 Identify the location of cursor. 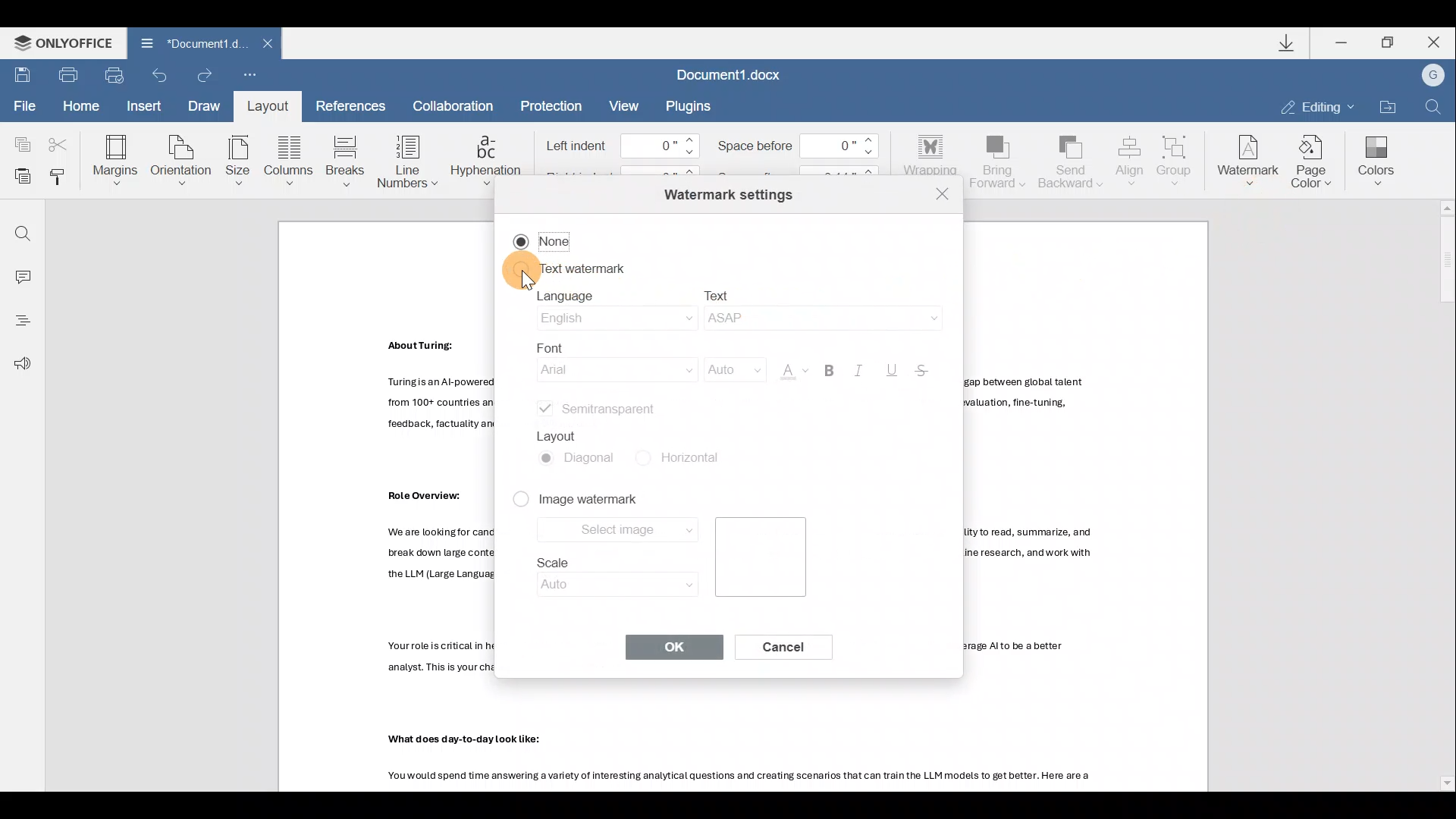
(530, 285).